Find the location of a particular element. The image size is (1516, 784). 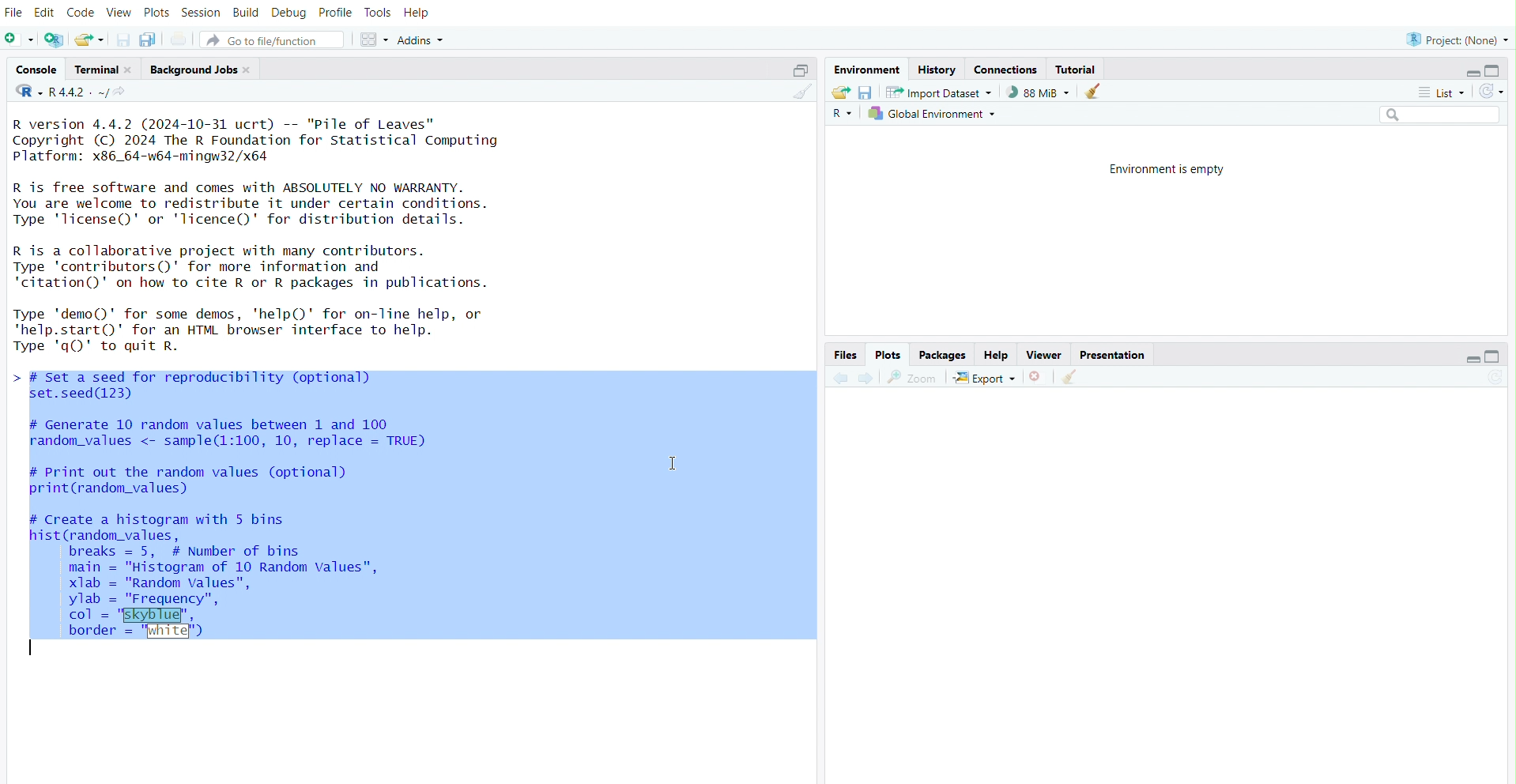

go to file/function is located at coordinates (273, 37).